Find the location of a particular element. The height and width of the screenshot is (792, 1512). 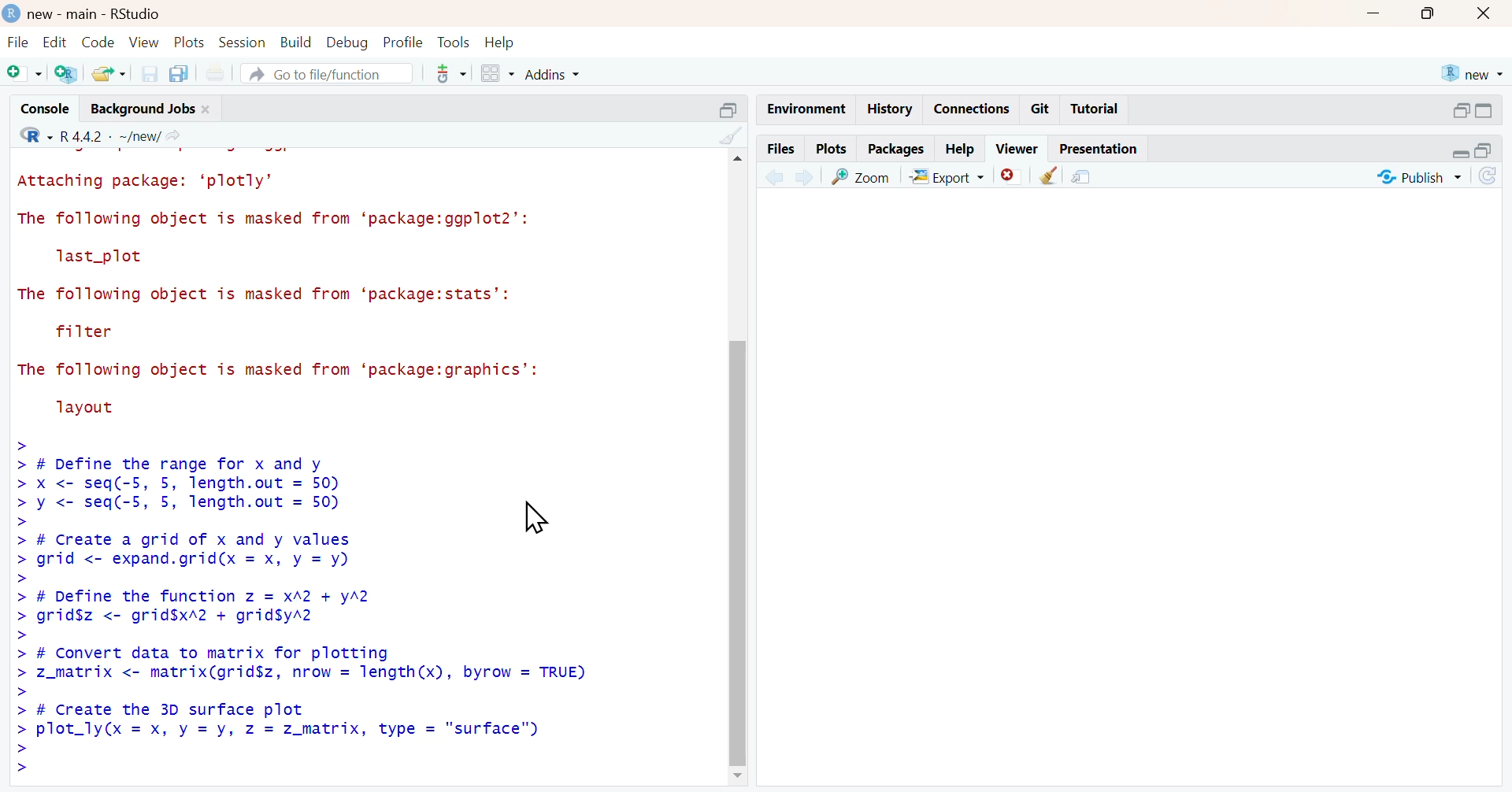

> X <- seq(-5, 5, length.out = 50)
> y <- seq(-5, 5, length.out = 50) is located at coordinates (187, 495).